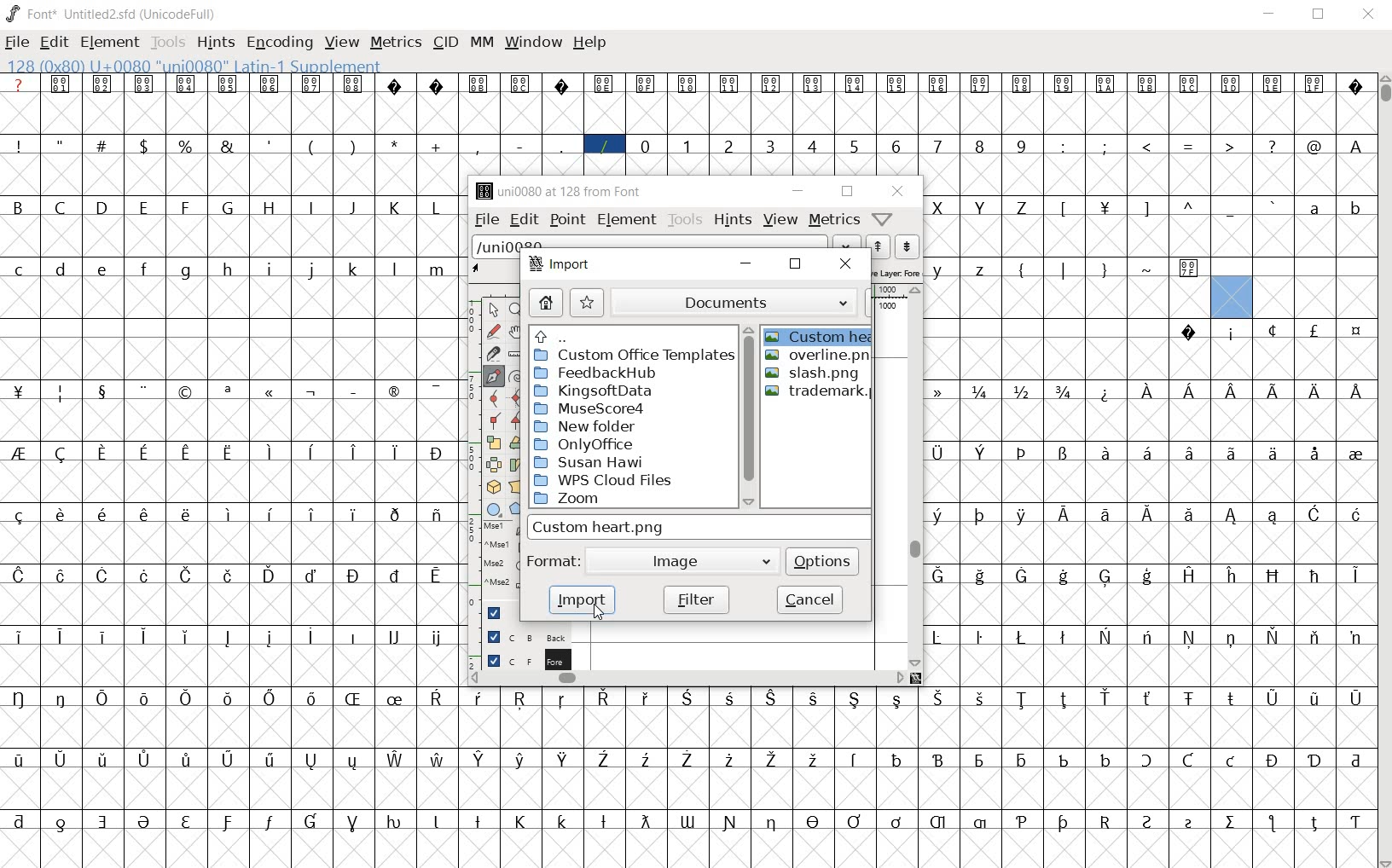 Image resolution: width=1392 pixels, height=868 pixels. Describe the element at coordinates (1023, 761) in the screenshot. I see `glyph` at that location.